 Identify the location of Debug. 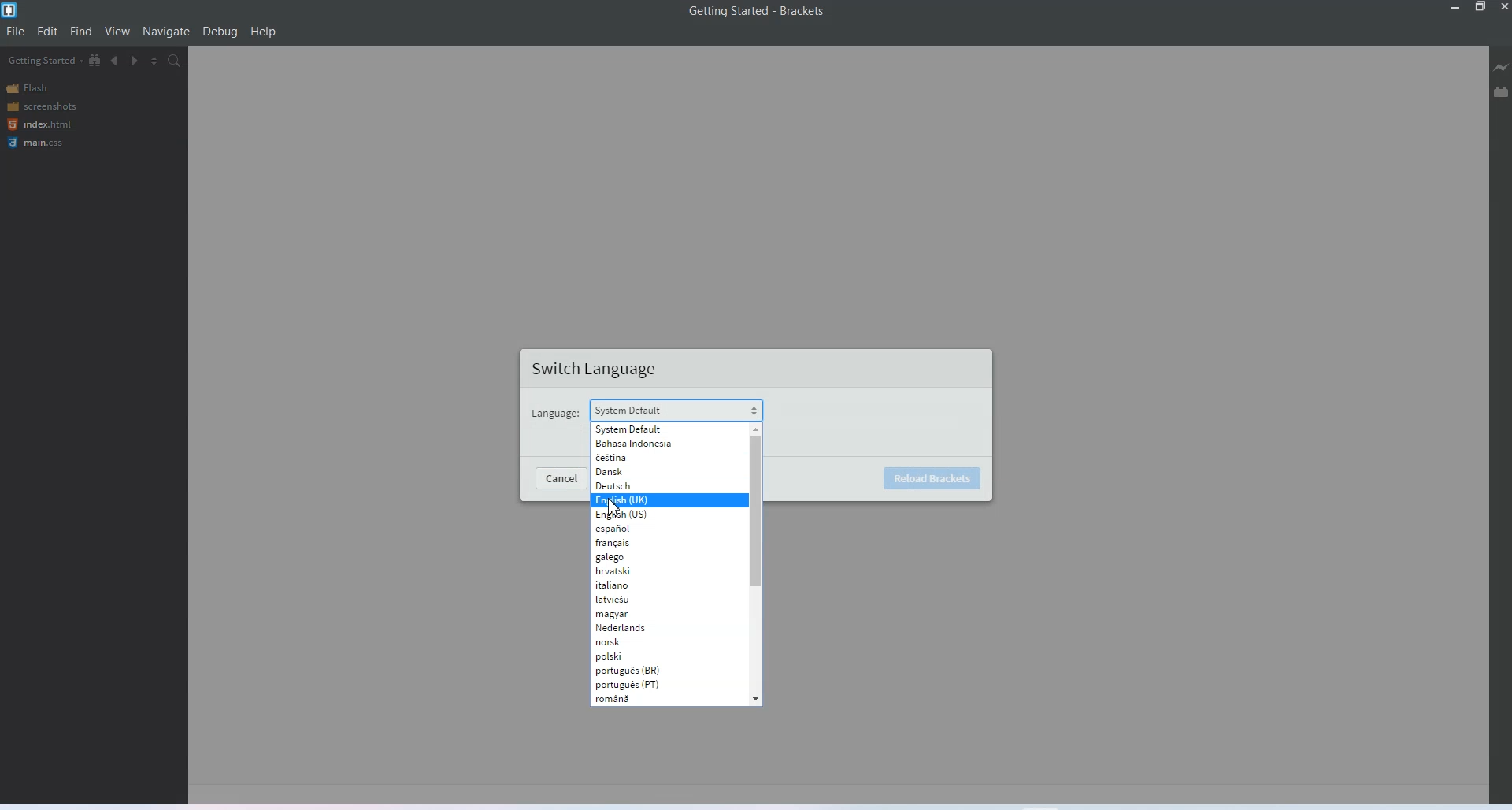
(220, 31).